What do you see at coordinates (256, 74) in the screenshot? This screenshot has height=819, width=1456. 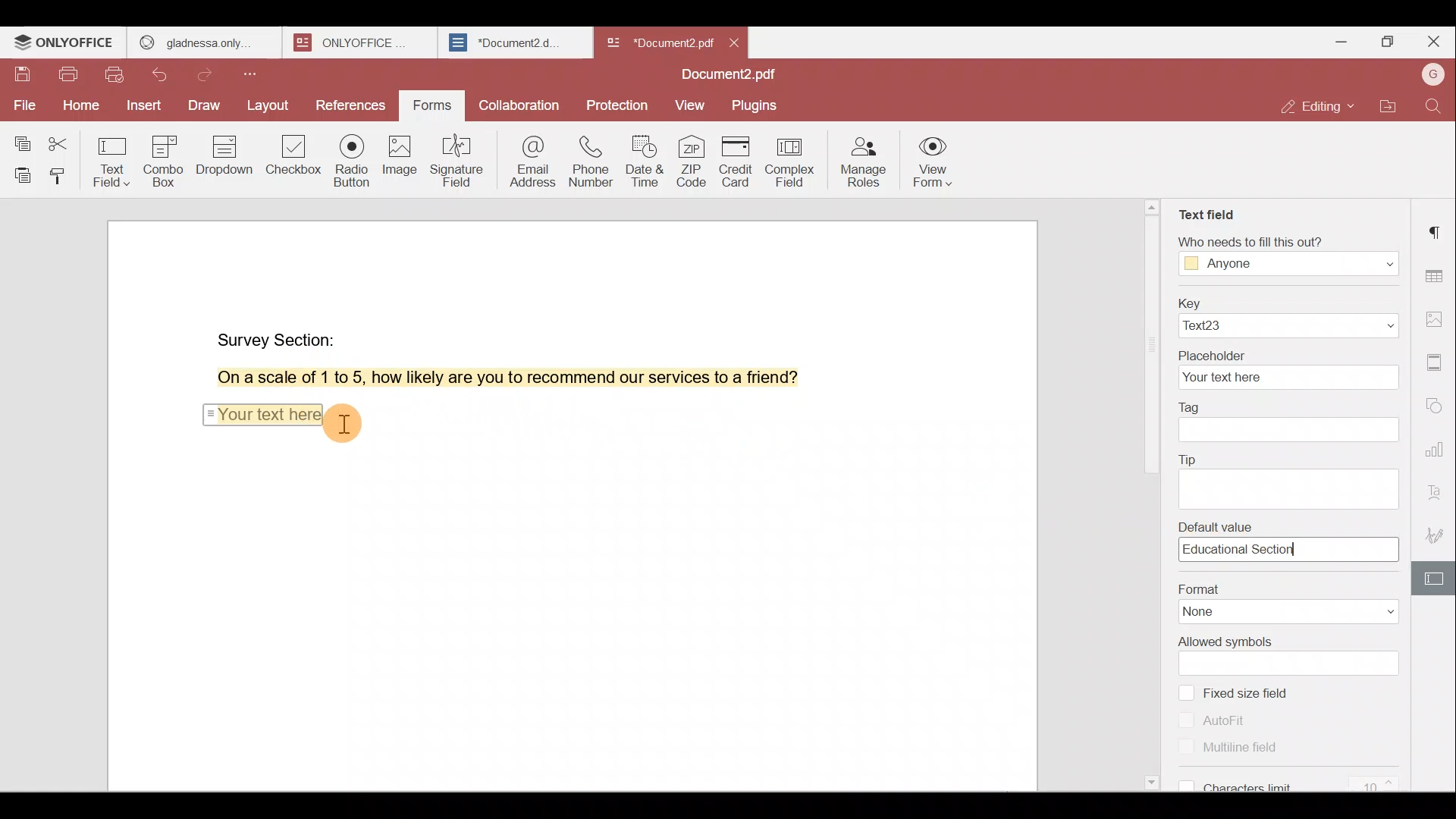 I see `Customize quick access toolbar` at bounding box center [256, 74].